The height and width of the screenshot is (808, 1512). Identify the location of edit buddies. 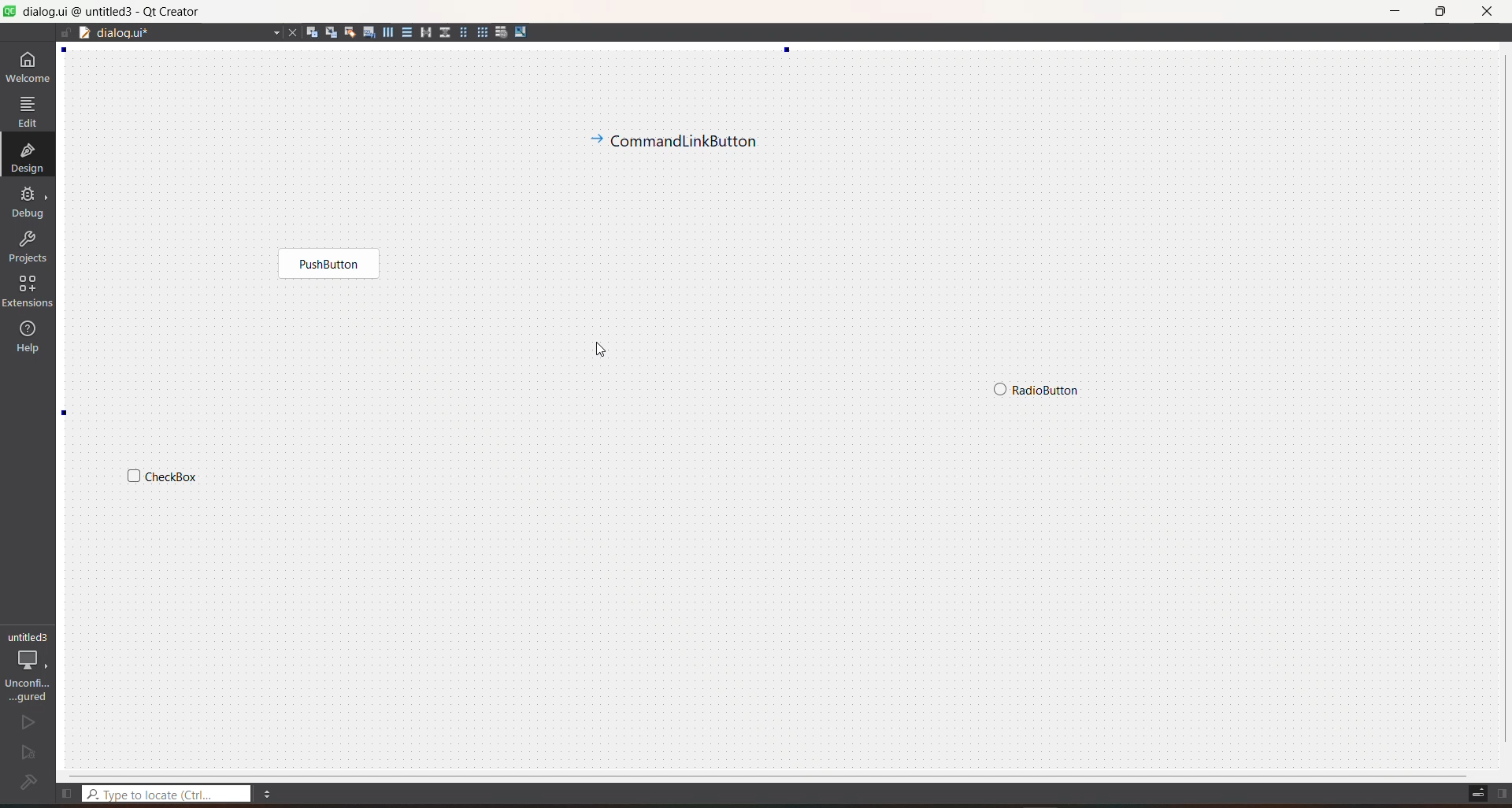
(348, 30).